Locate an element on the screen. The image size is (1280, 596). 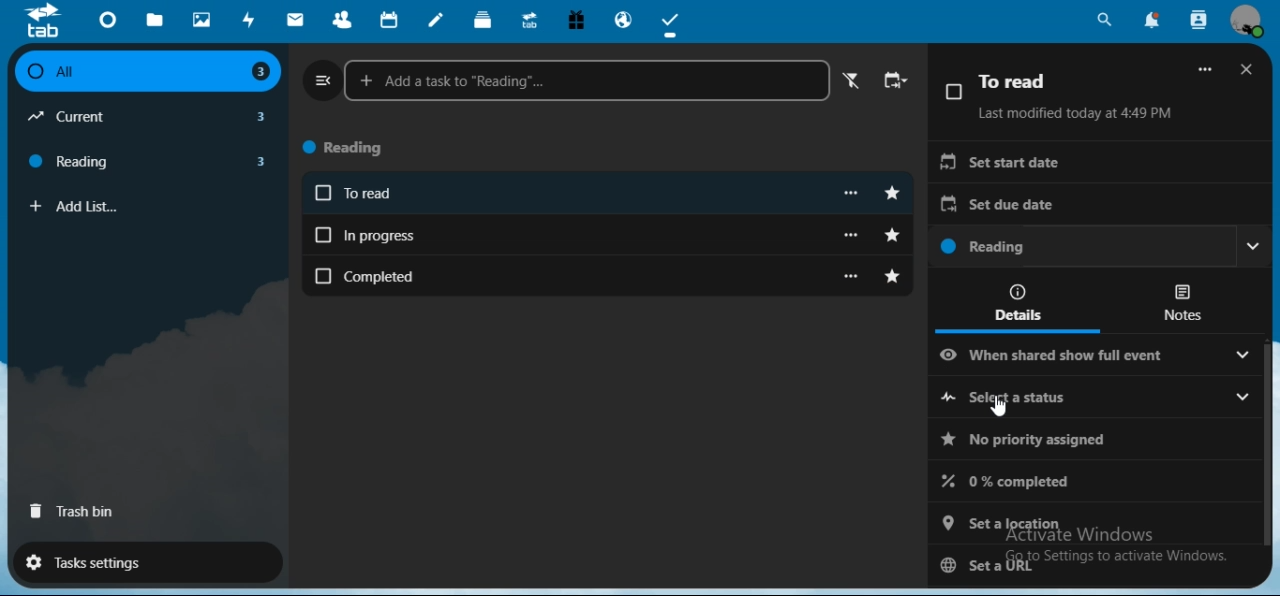
all  is located at coordinates (146, 72).